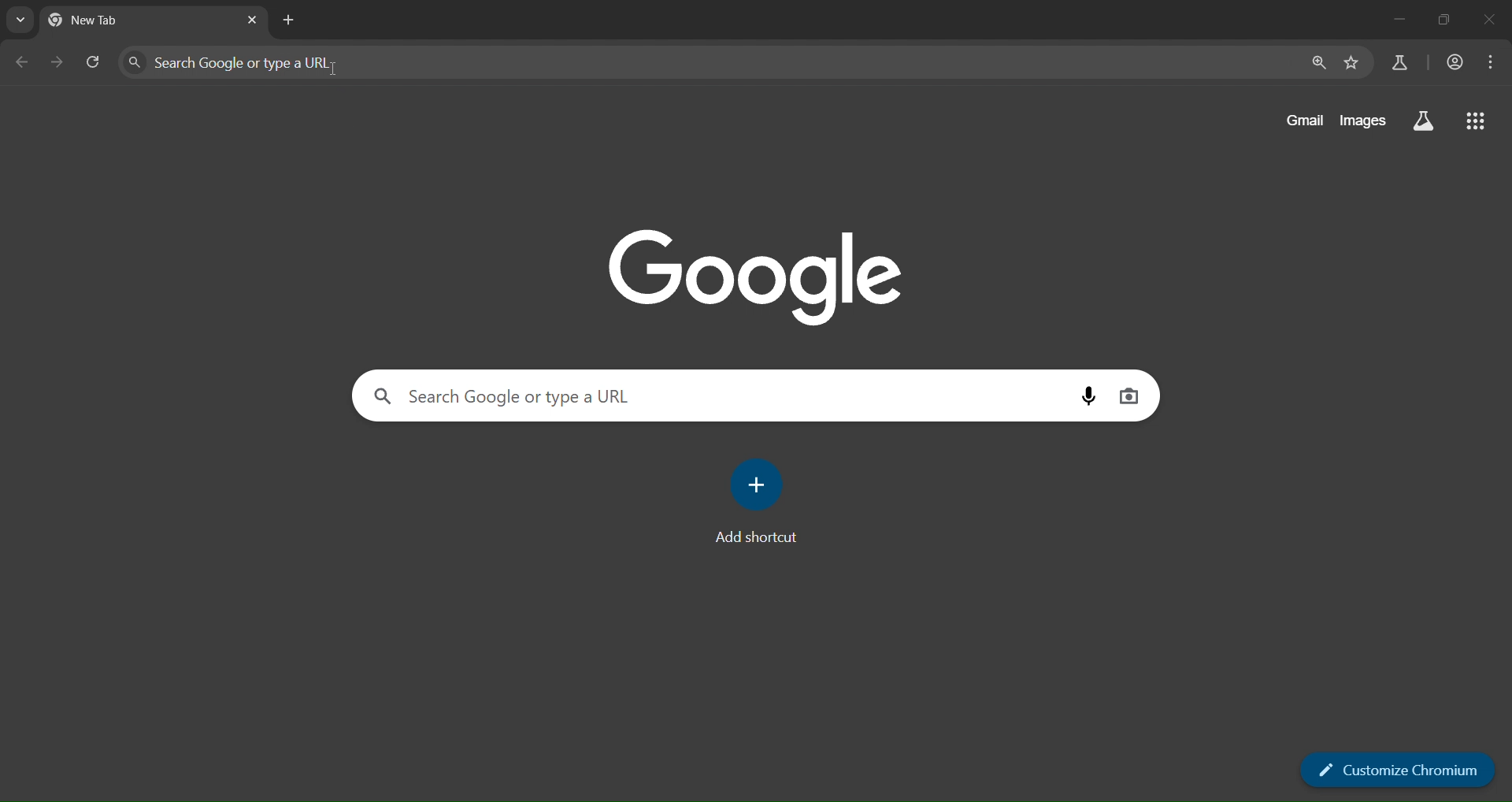 The width and height of the screenshot is (1512, 802). I want to click on image search, so click(1134, 398).